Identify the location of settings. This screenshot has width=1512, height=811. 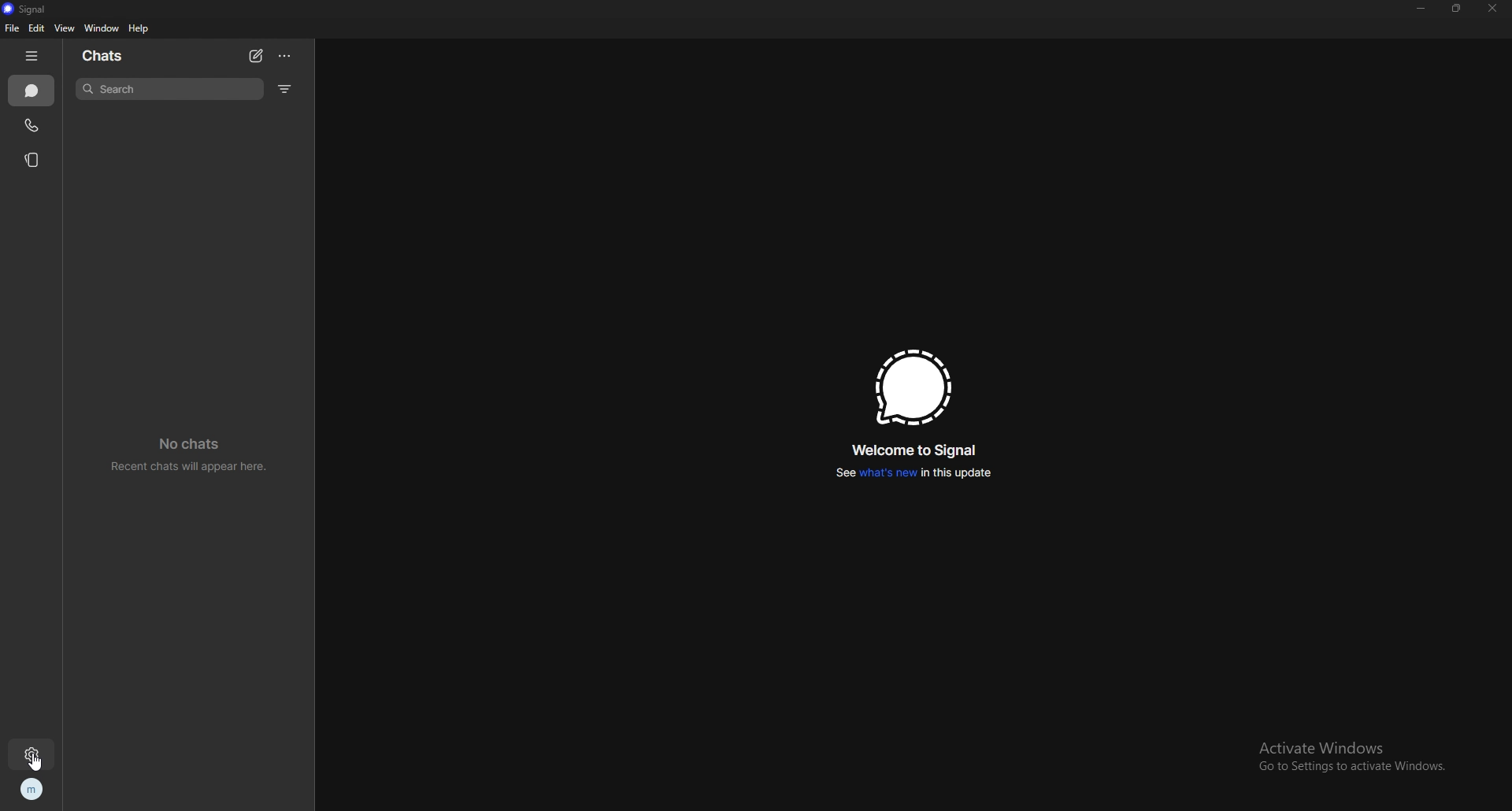
(30, 757).